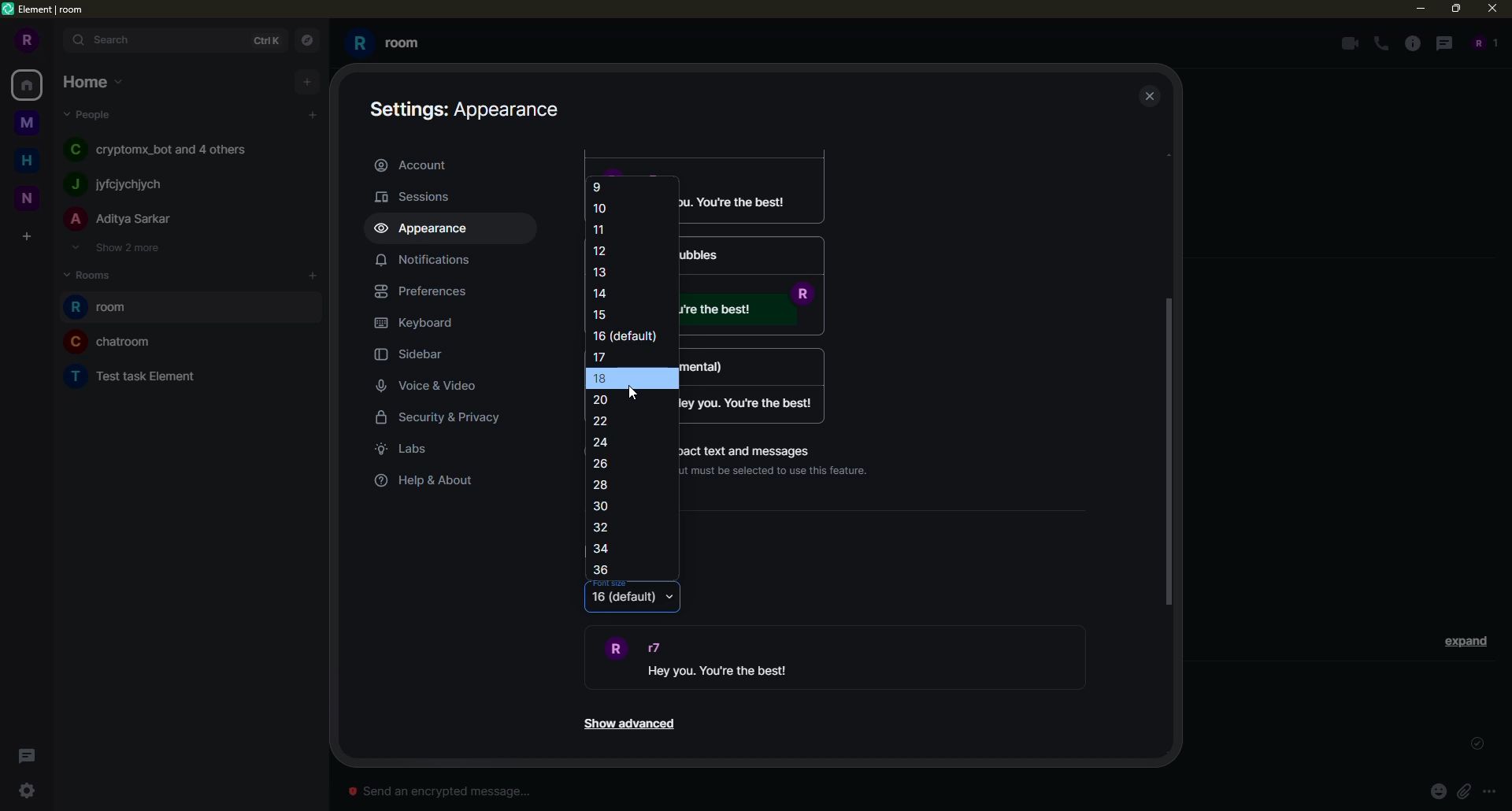  What do you see at coordinates (1474, 744) in the screenshot?
I see `sent` at bounding box center [1474, 744].